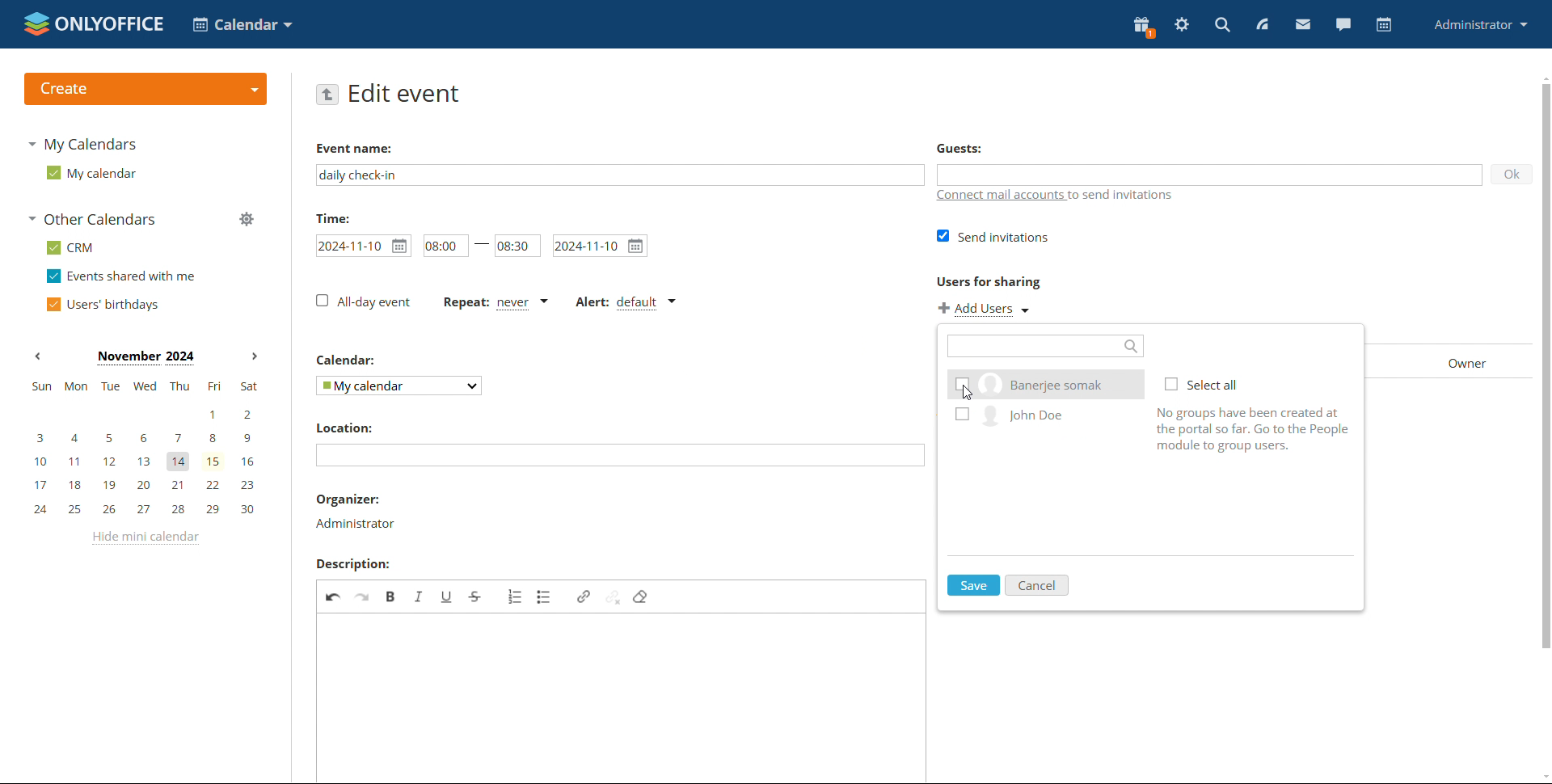  Describe the element at coordinates (625, 303) in the screenshot. I see `alert type` at that location.